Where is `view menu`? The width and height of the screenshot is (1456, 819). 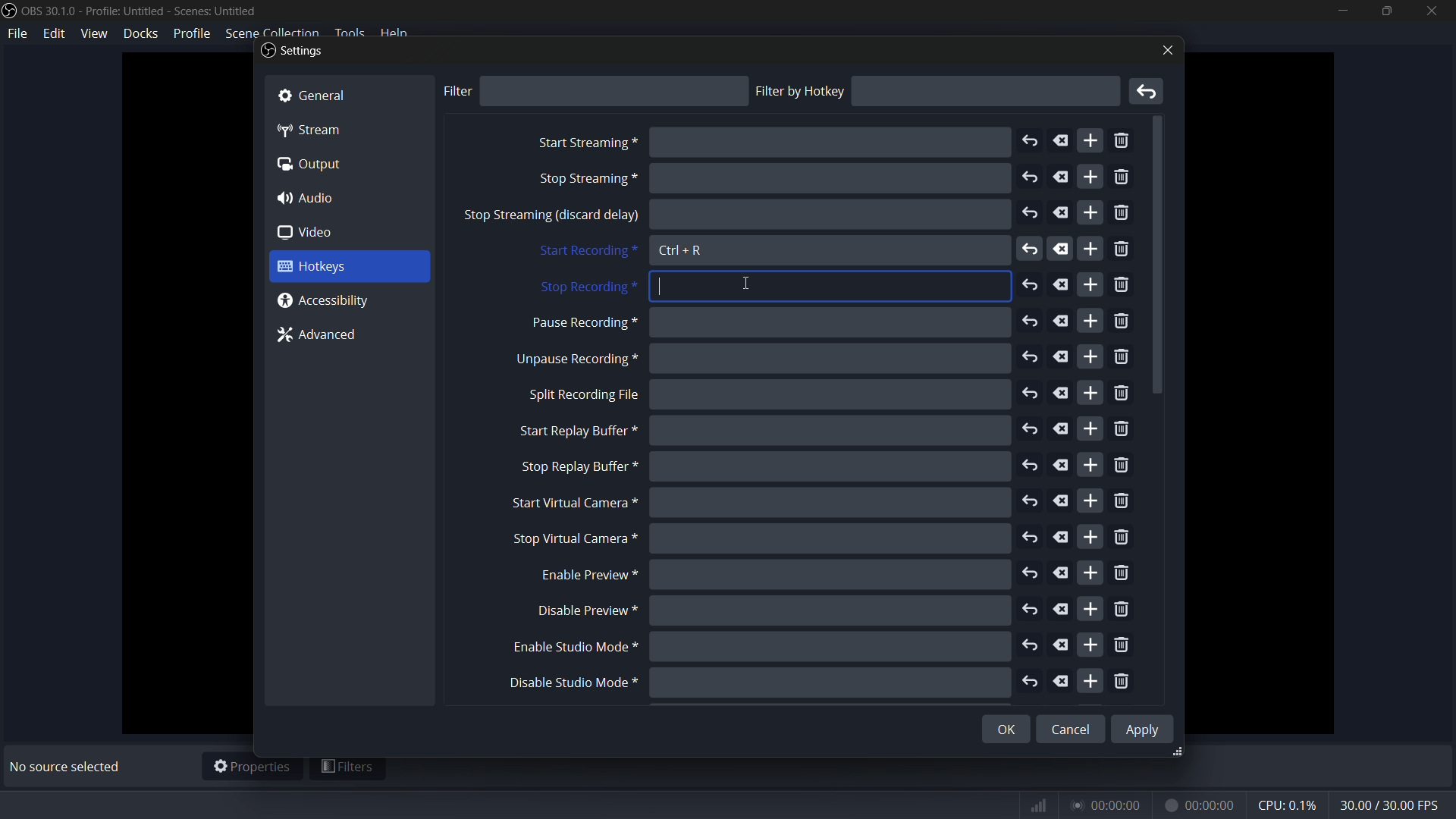
view menu is located at coordinates (94, 33).